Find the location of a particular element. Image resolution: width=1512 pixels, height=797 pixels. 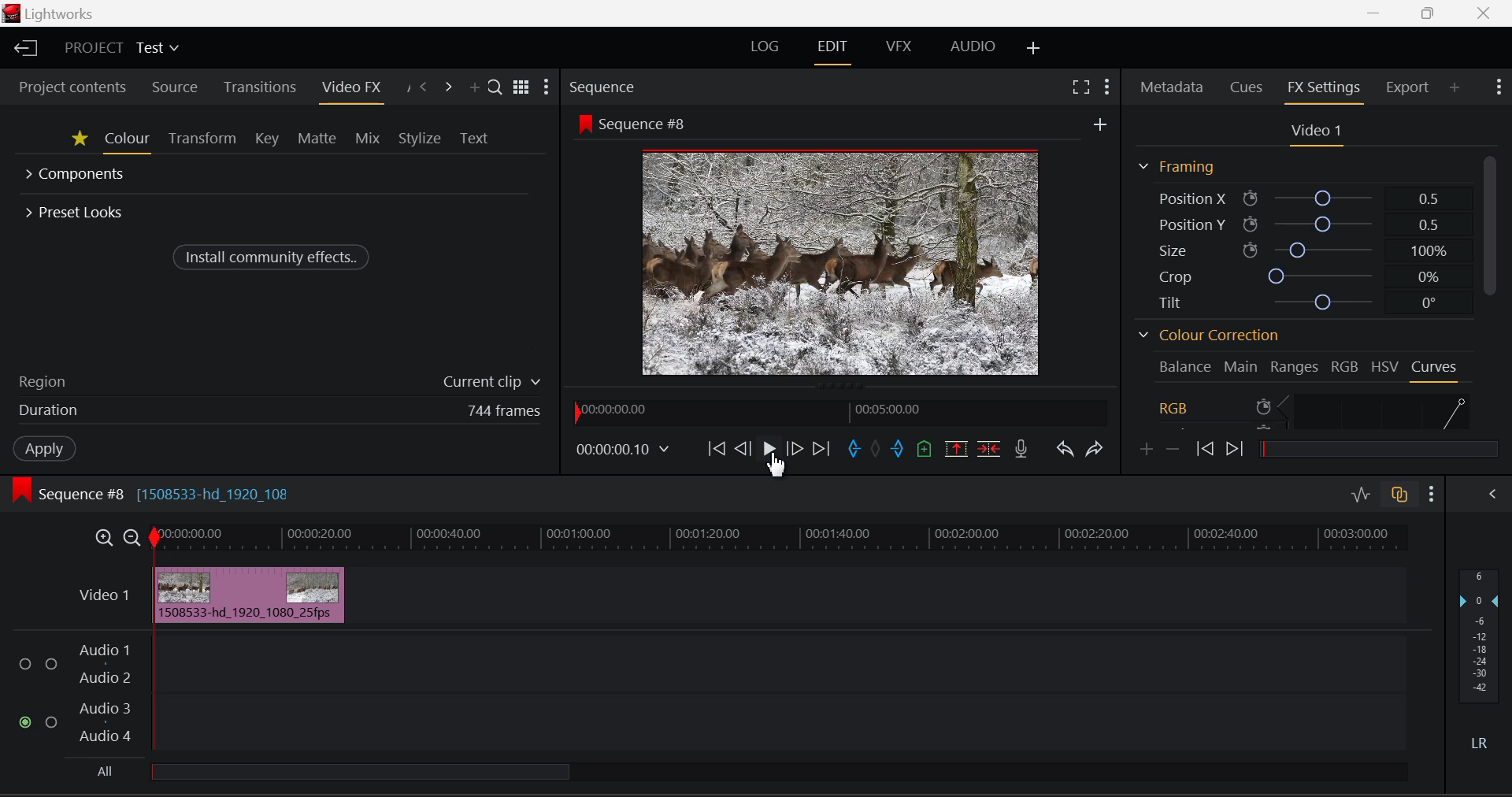

Transform is located at coordinates (200, 140).